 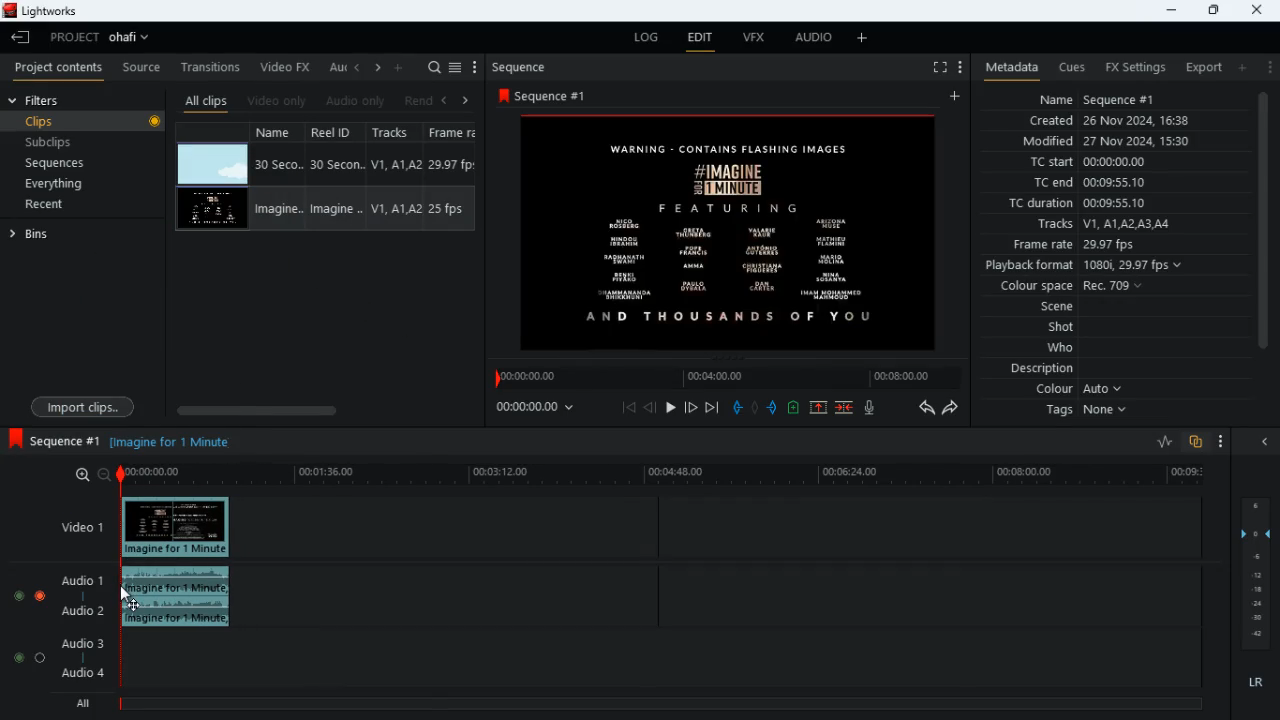 I want to click on video 1, so click(x=74, y=526).